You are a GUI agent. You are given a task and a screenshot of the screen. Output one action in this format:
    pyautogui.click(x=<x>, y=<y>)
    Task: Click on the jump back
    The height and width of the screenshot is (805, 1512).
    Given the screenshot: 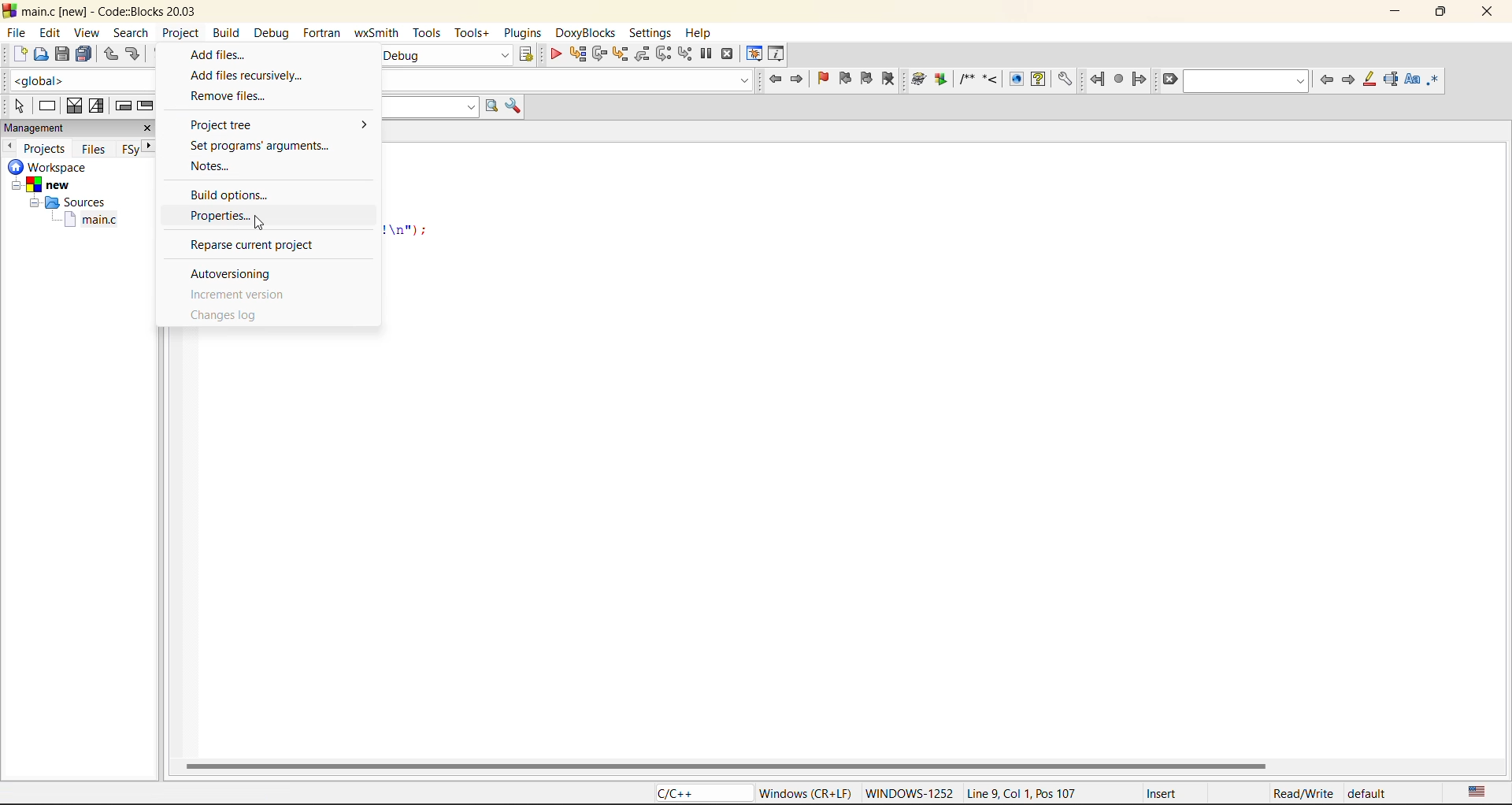 What is the action you would take?
    pyautogui.click(x=1096, y=80)
    